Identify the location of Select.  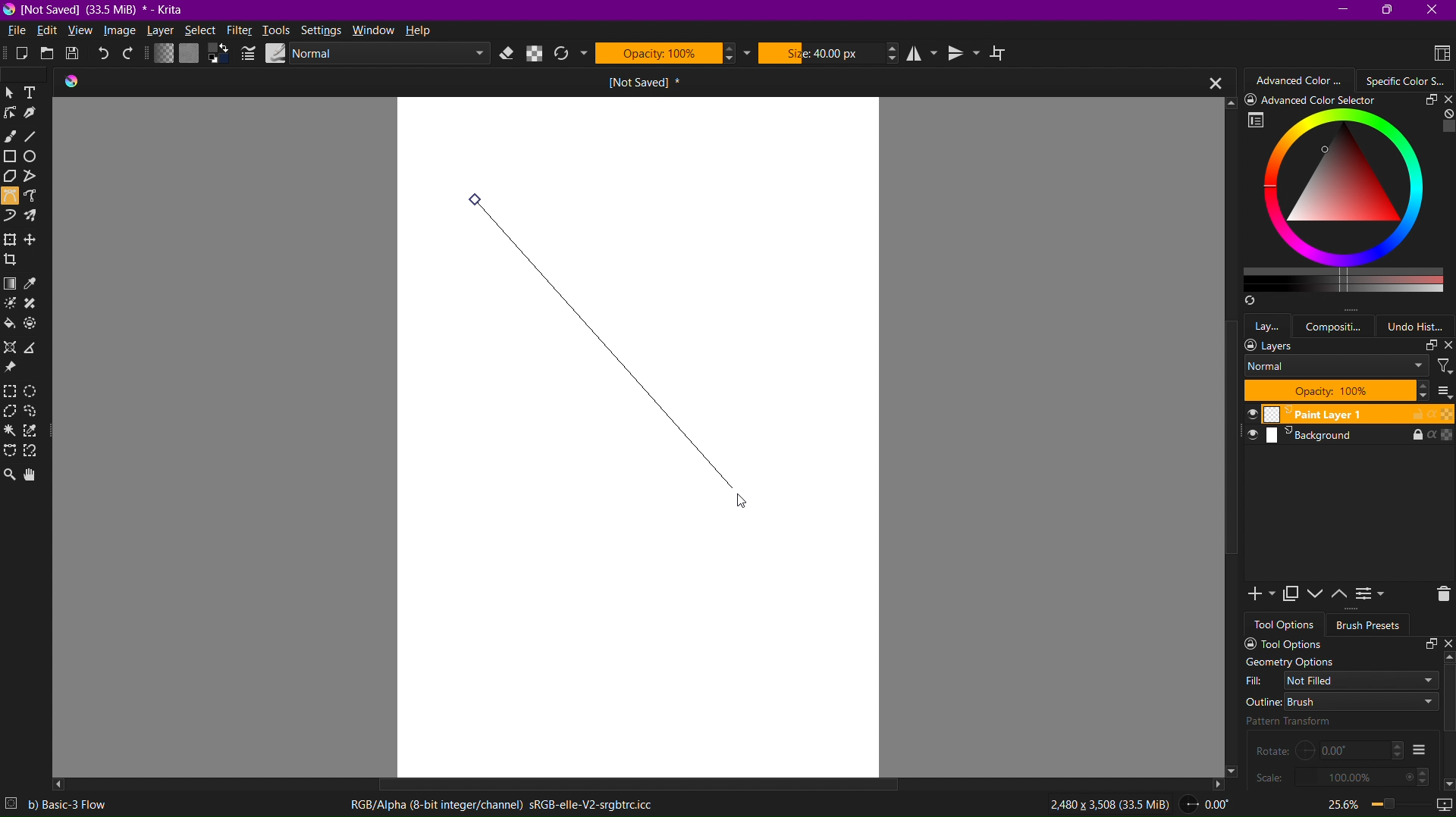
(199, 32).